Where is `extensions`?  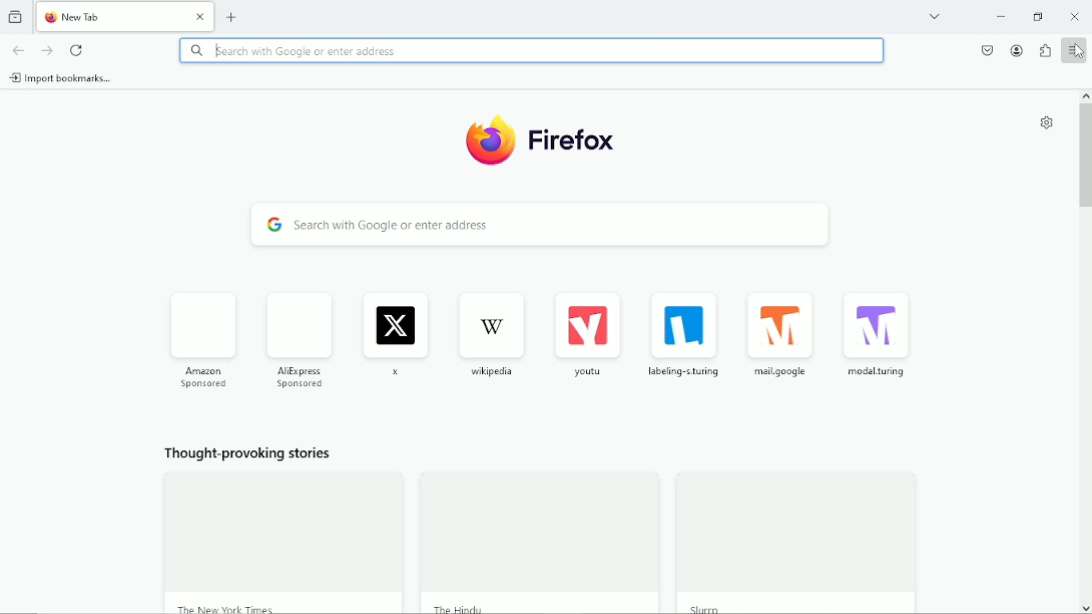
extensions is located at coordinates (1045, 50).